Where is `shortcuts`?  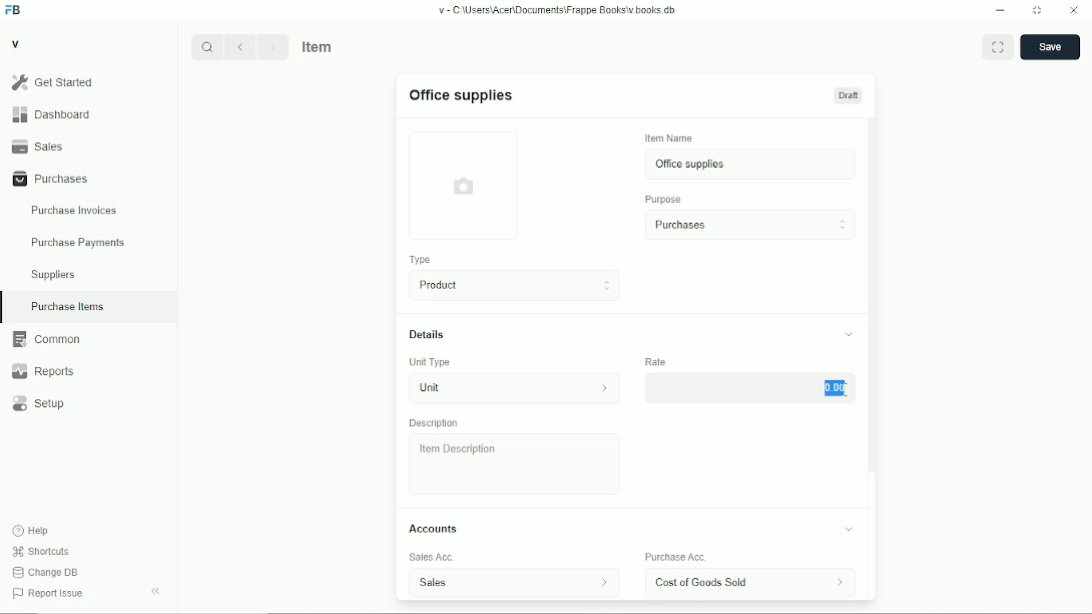
shortcuts is located at coordinates (41, 552).